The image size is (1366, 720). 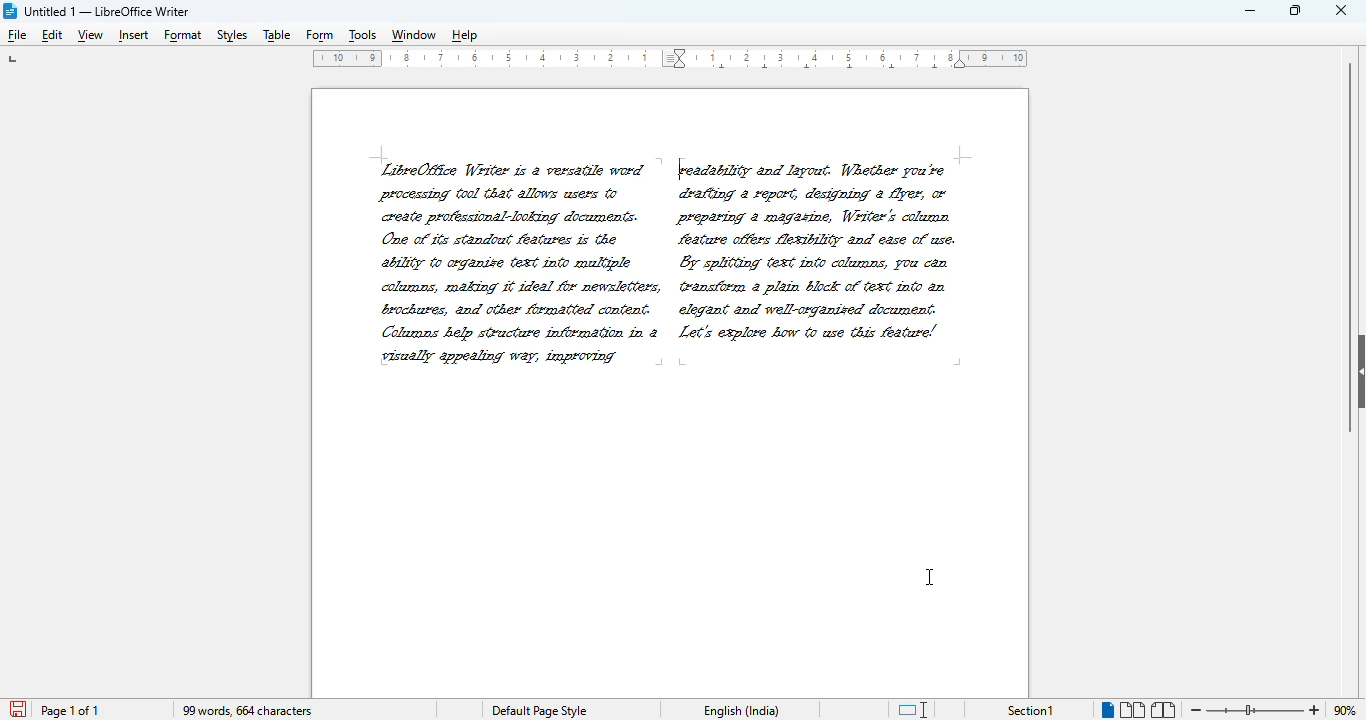 I want to click on vertical scroll bar, so click(x=1342, y=245).